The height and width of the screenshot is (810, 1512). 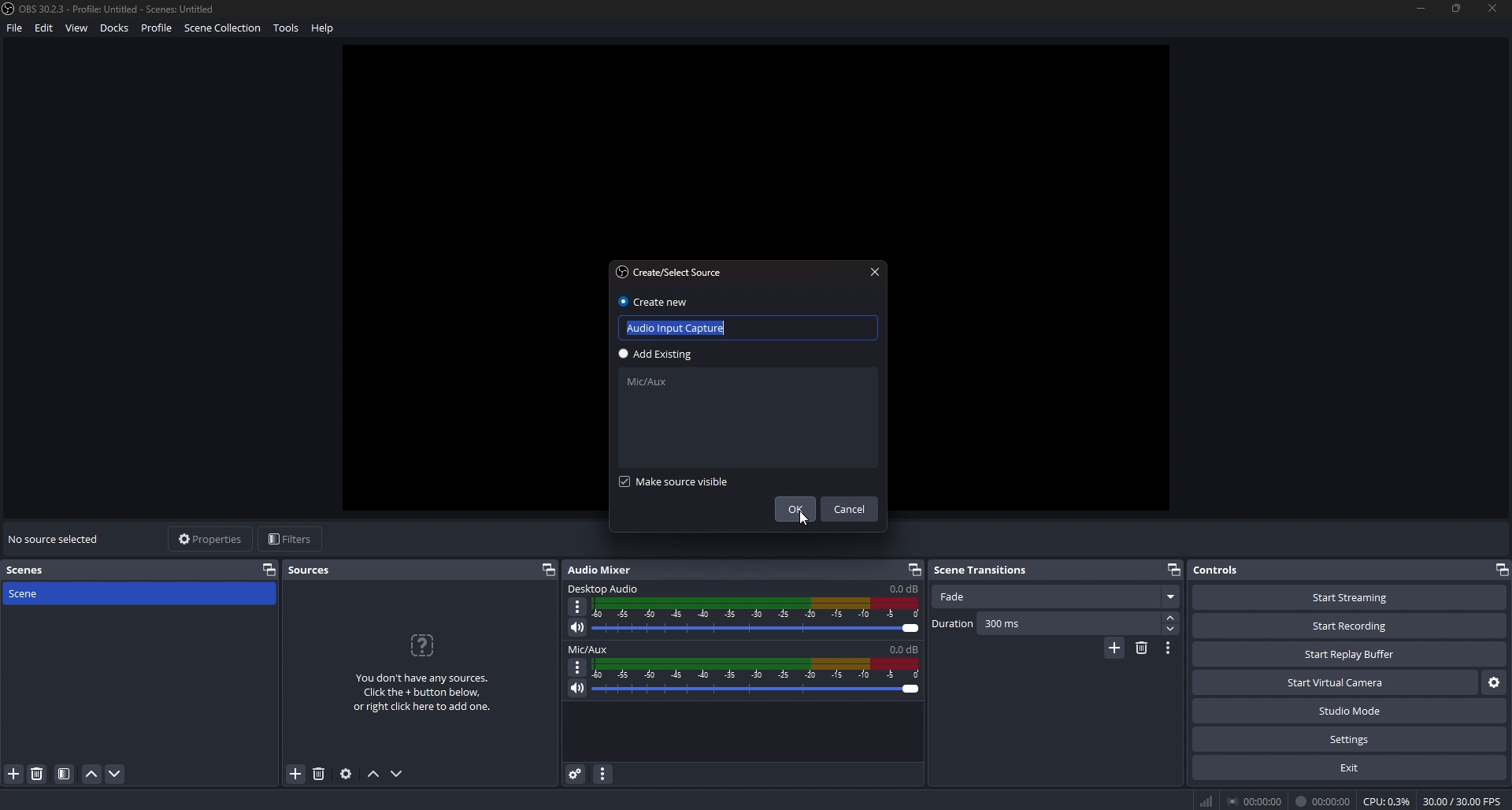 What do you see at coordinates (850, 508) in the screenshot?
I see `cancel` at bounding box center [850, 508].